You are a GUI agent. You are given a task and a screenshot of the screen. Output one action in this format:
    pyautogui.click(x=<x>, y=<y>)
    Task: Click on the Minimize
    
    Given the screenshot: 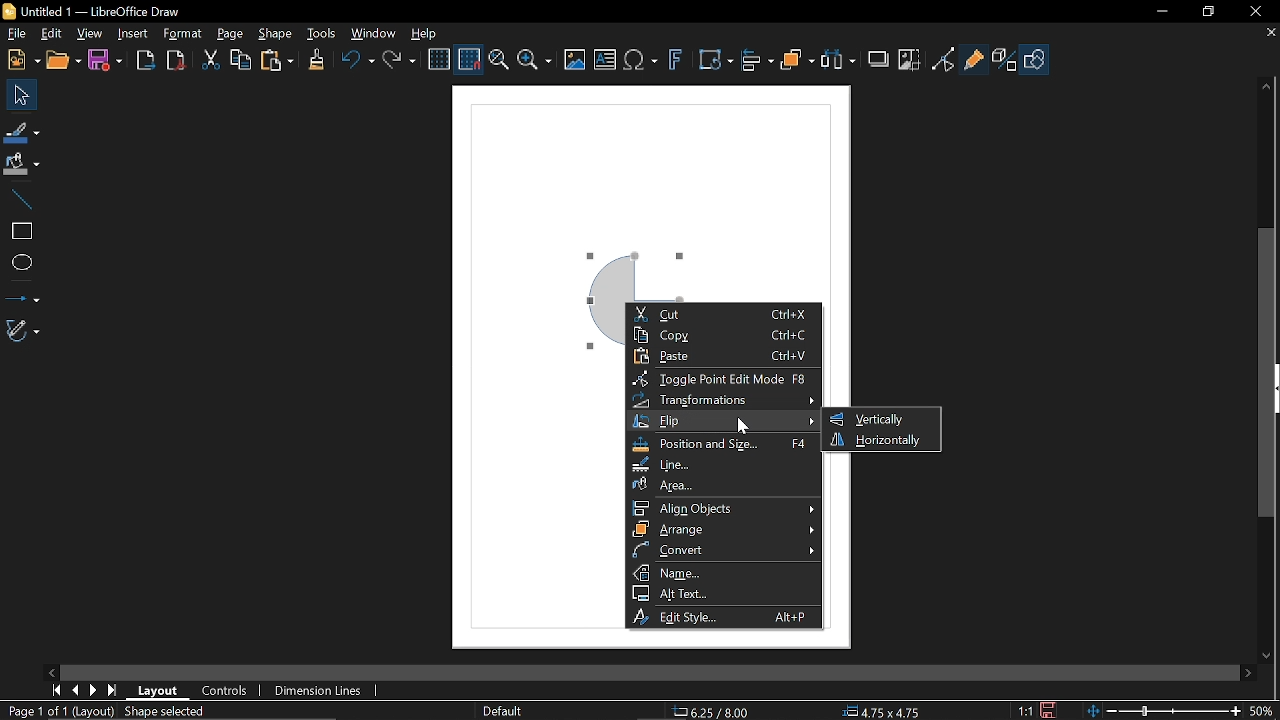 What is the action you would take?
    pyautogui.click(x=1163, y=12)
    